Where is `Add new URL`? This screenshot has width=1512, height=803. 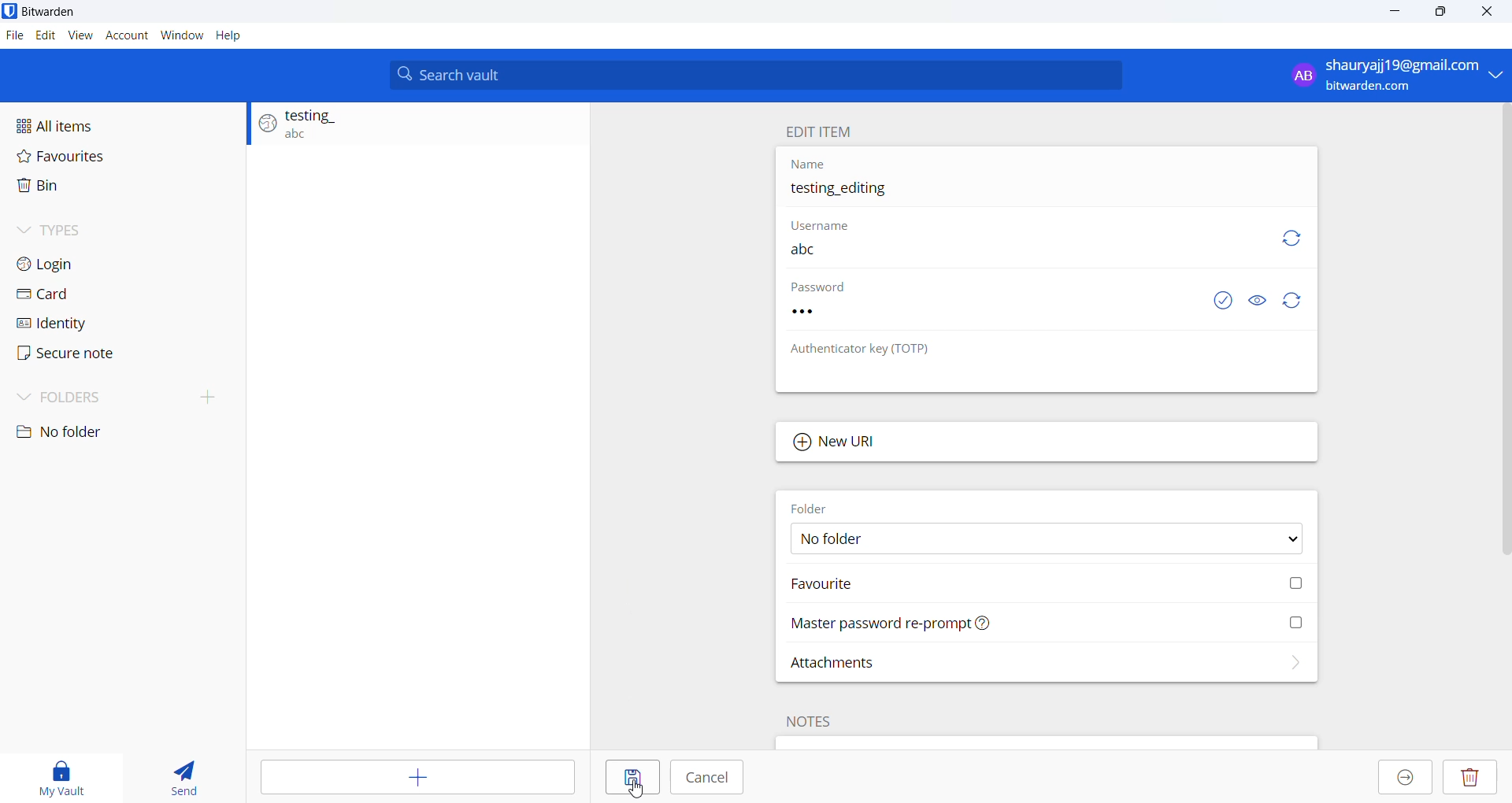 Add new URL is located at coordinates (1047, 445).